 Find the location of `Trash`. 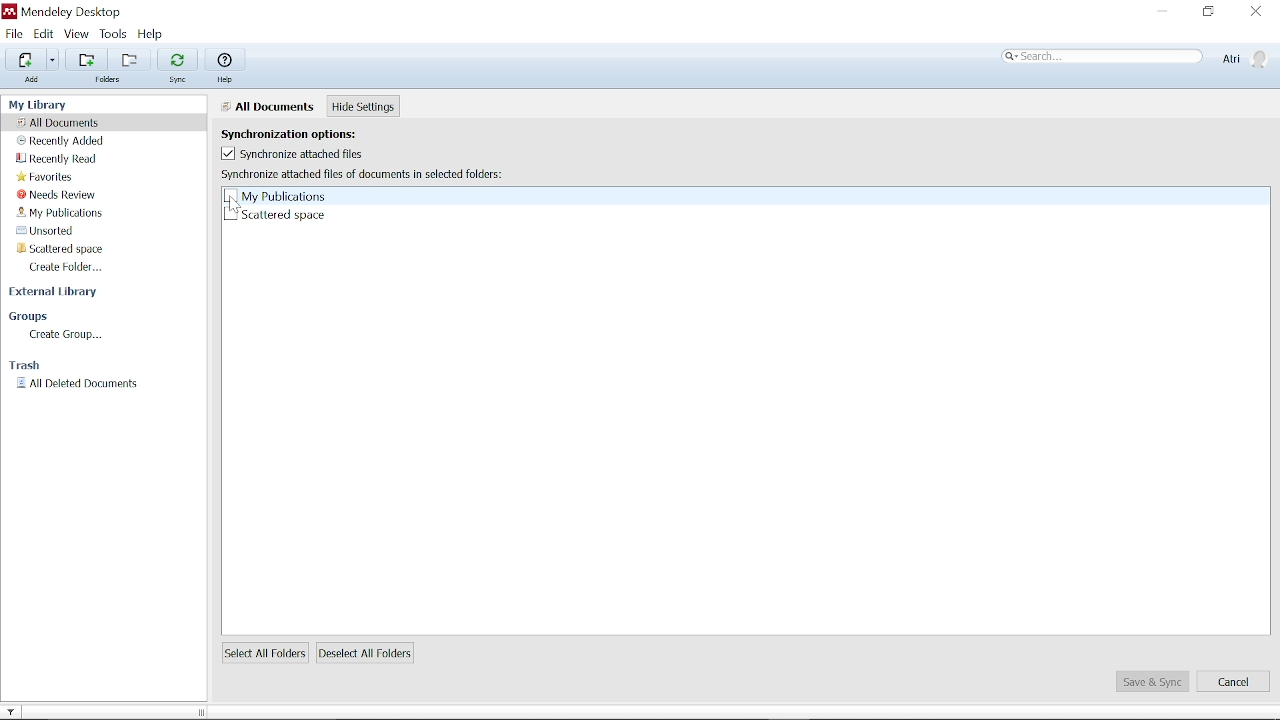

Trash is located at coordinates (30, 365).